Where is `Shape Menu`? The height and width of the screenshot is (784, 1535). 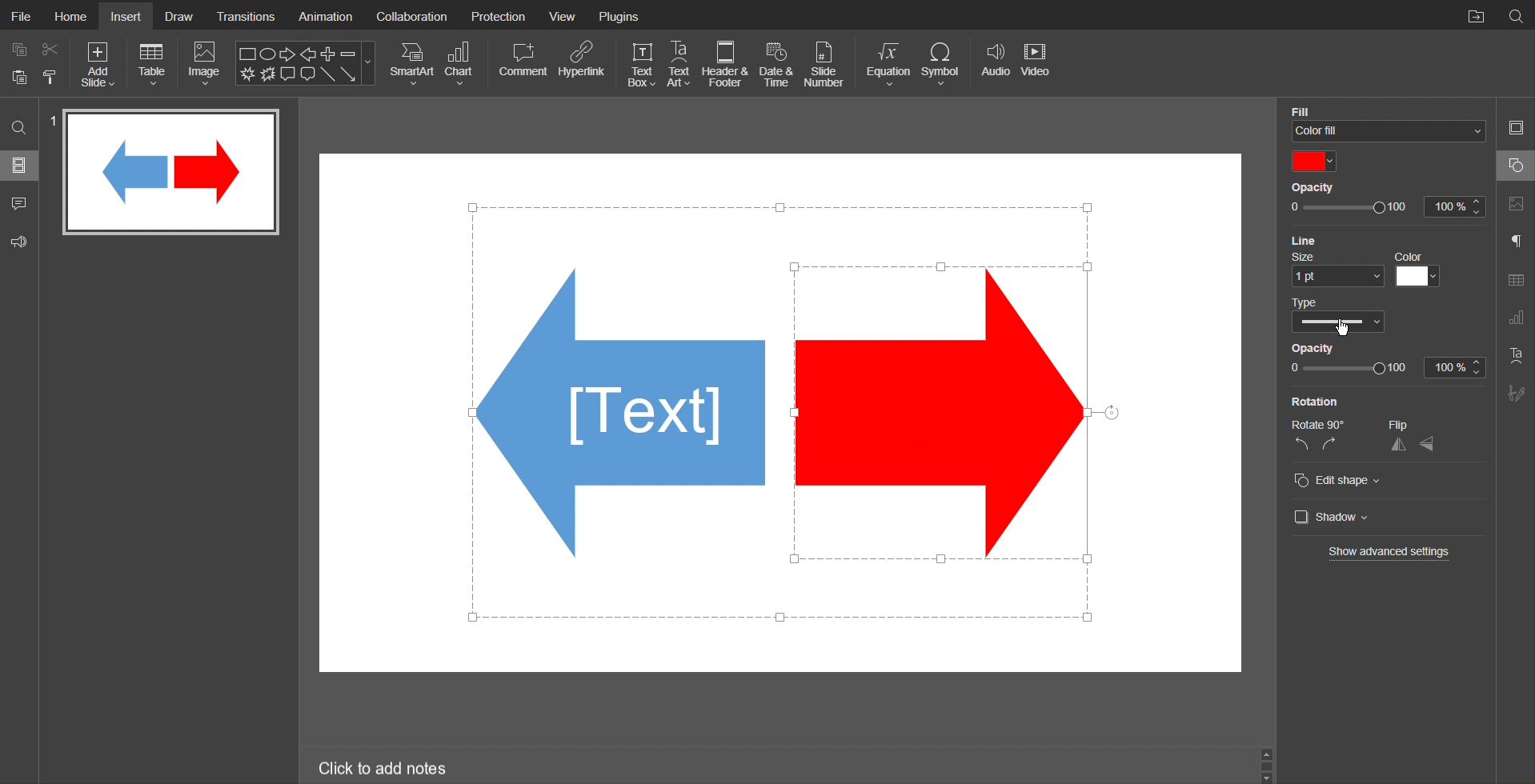 Shape Menu is located at coordinates (306, 62).